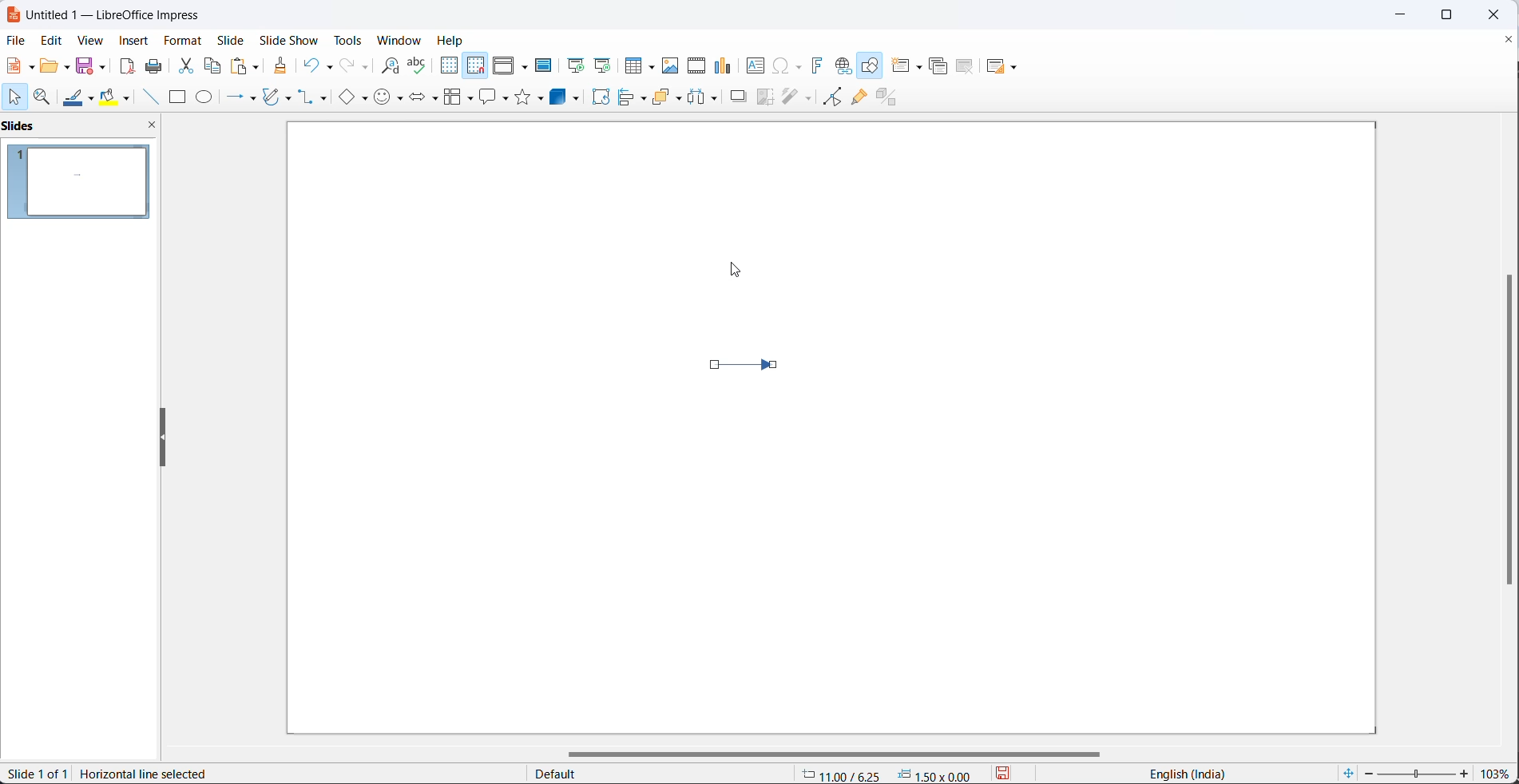  Describe the element at coordinates (79, 98) in the screenshot. I see `line color` at that location.